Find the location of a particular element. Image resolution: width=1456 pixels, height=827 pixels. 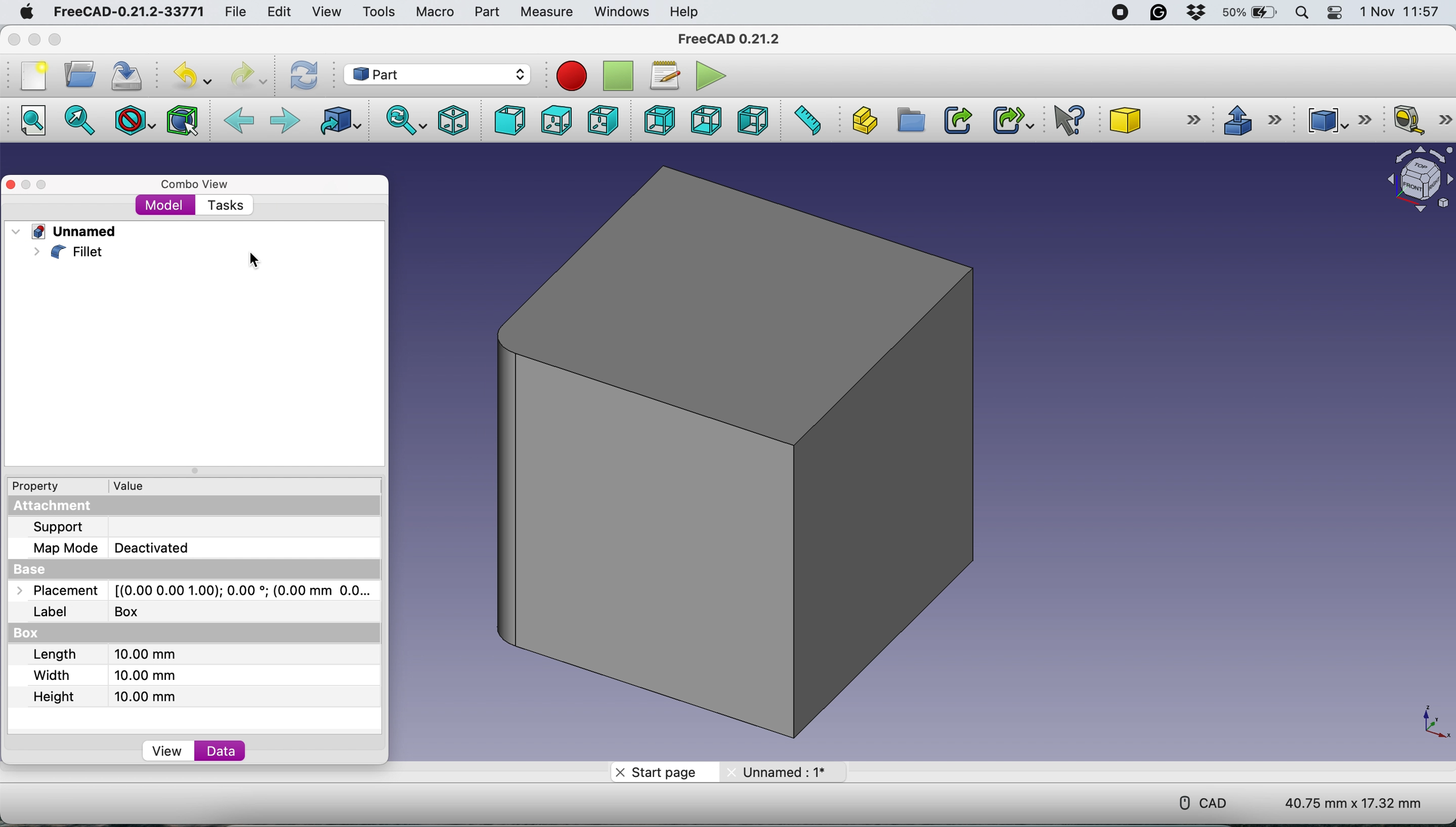

redo is located at coordinates (249, 75).